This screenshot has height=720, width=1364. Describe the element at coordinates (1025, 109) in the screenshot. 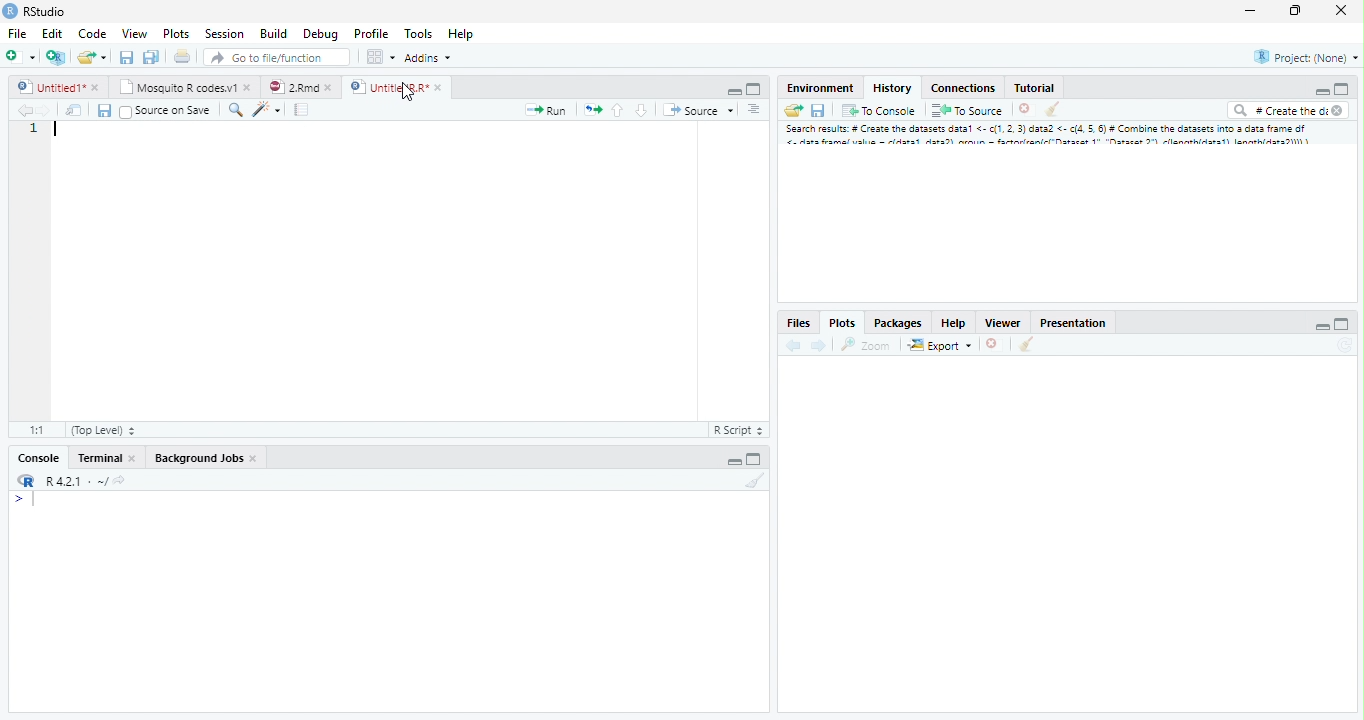

I see `Delete` at that location.